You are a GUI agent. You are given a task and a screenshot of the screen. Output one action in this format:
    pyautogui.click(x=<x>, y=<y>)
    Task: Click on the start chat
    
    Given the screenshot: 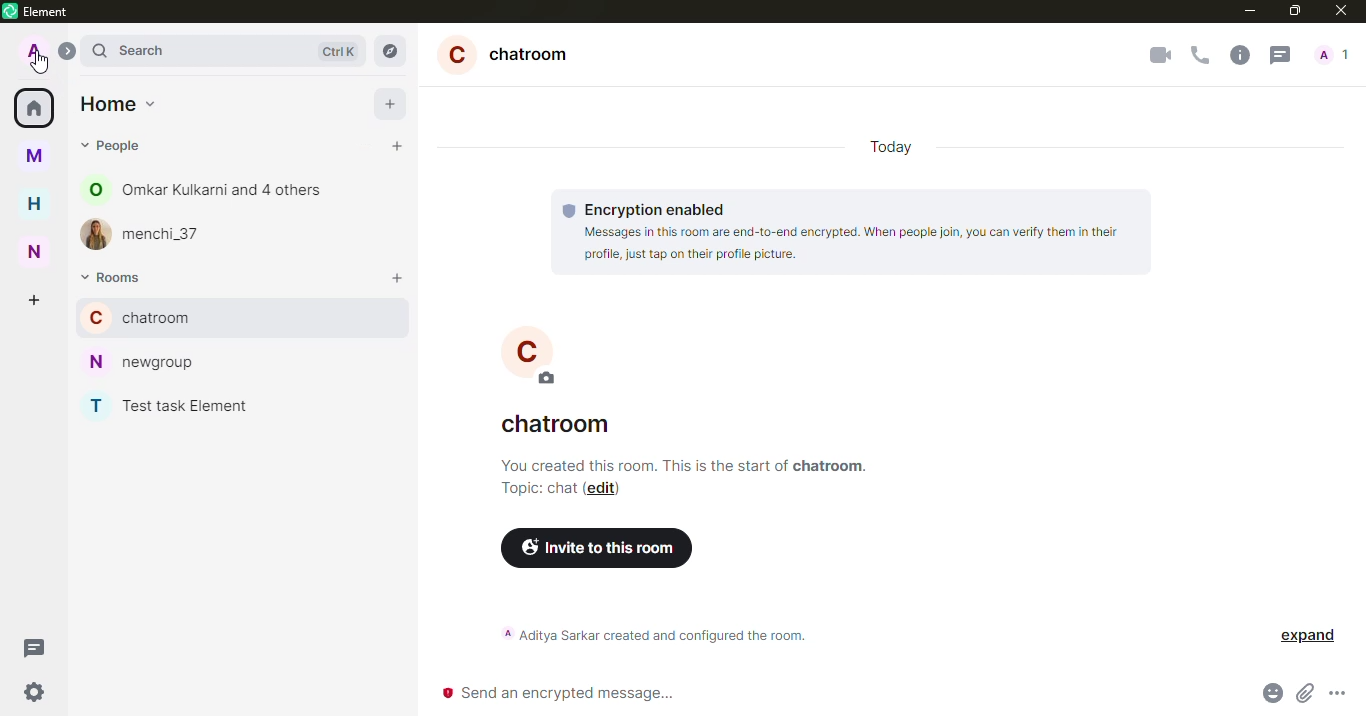 What is the action you would take?
    pyautogui.click(x=393, y=147)
    